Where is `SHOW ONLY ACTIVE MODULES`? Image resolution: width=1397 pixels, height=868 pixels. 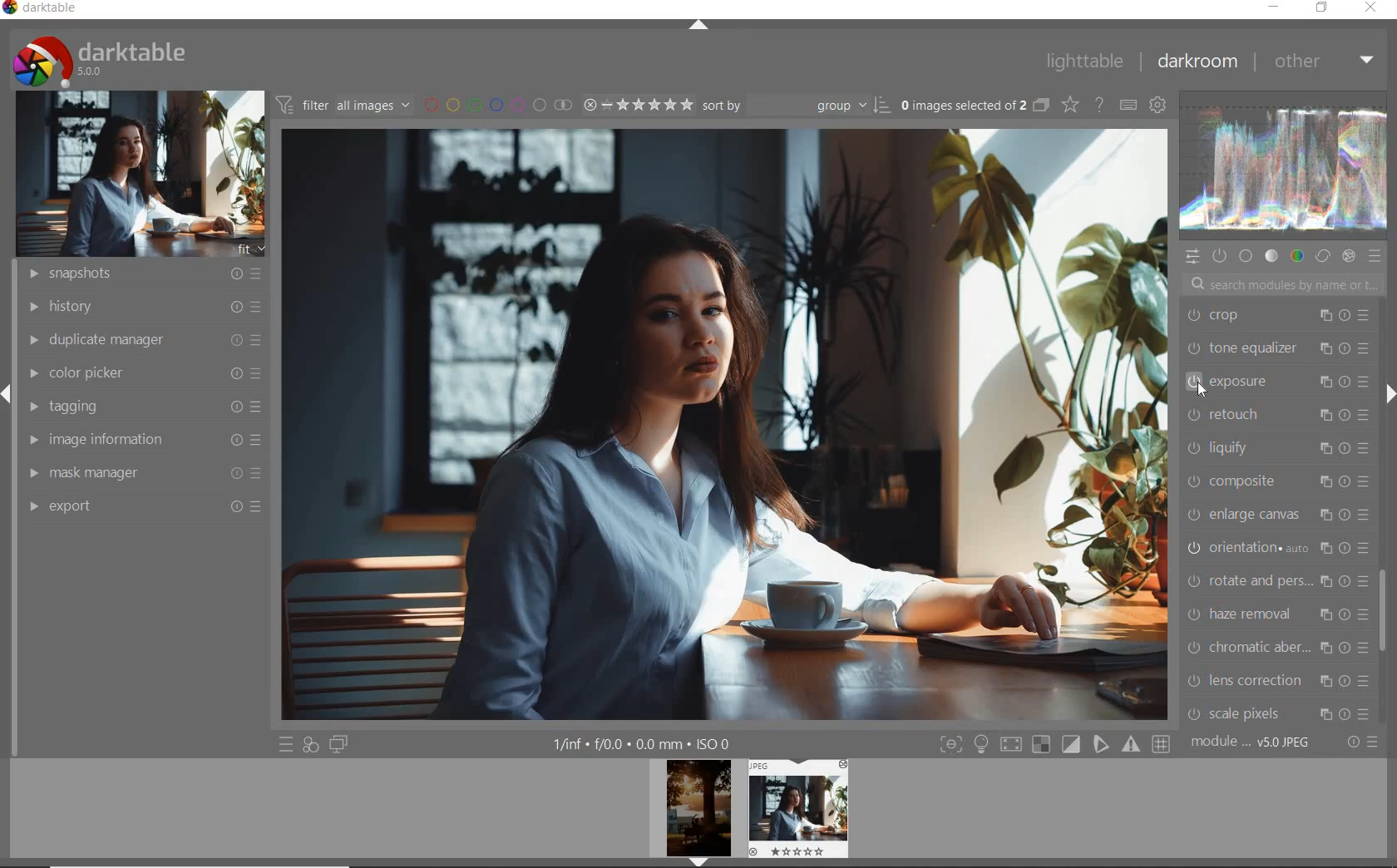
SHOW ONLY ACTIVE MODULES is located at coordinates (1219, 257).